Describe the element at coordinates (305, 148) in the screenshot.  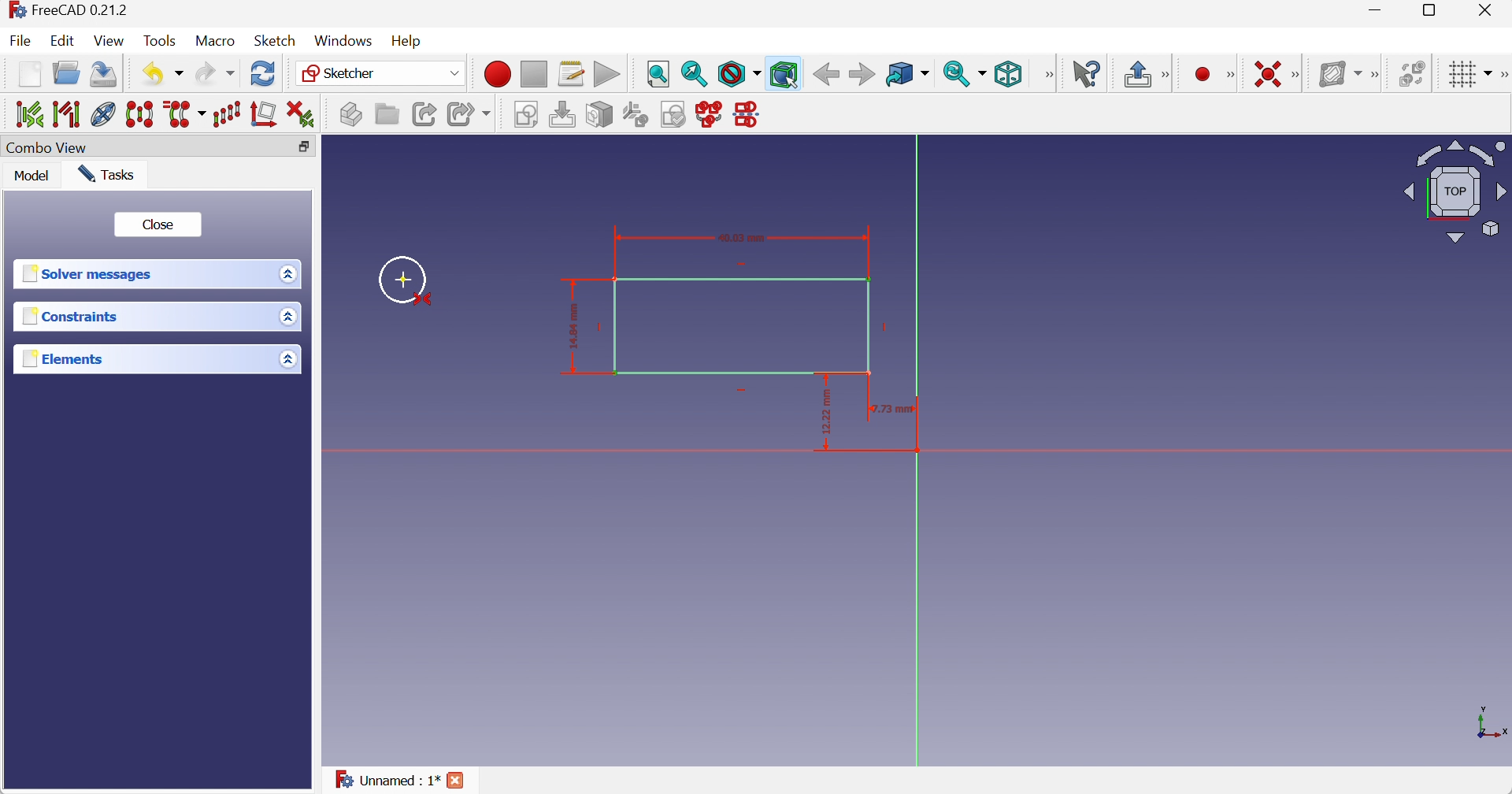
I see `Restore down` at that location.